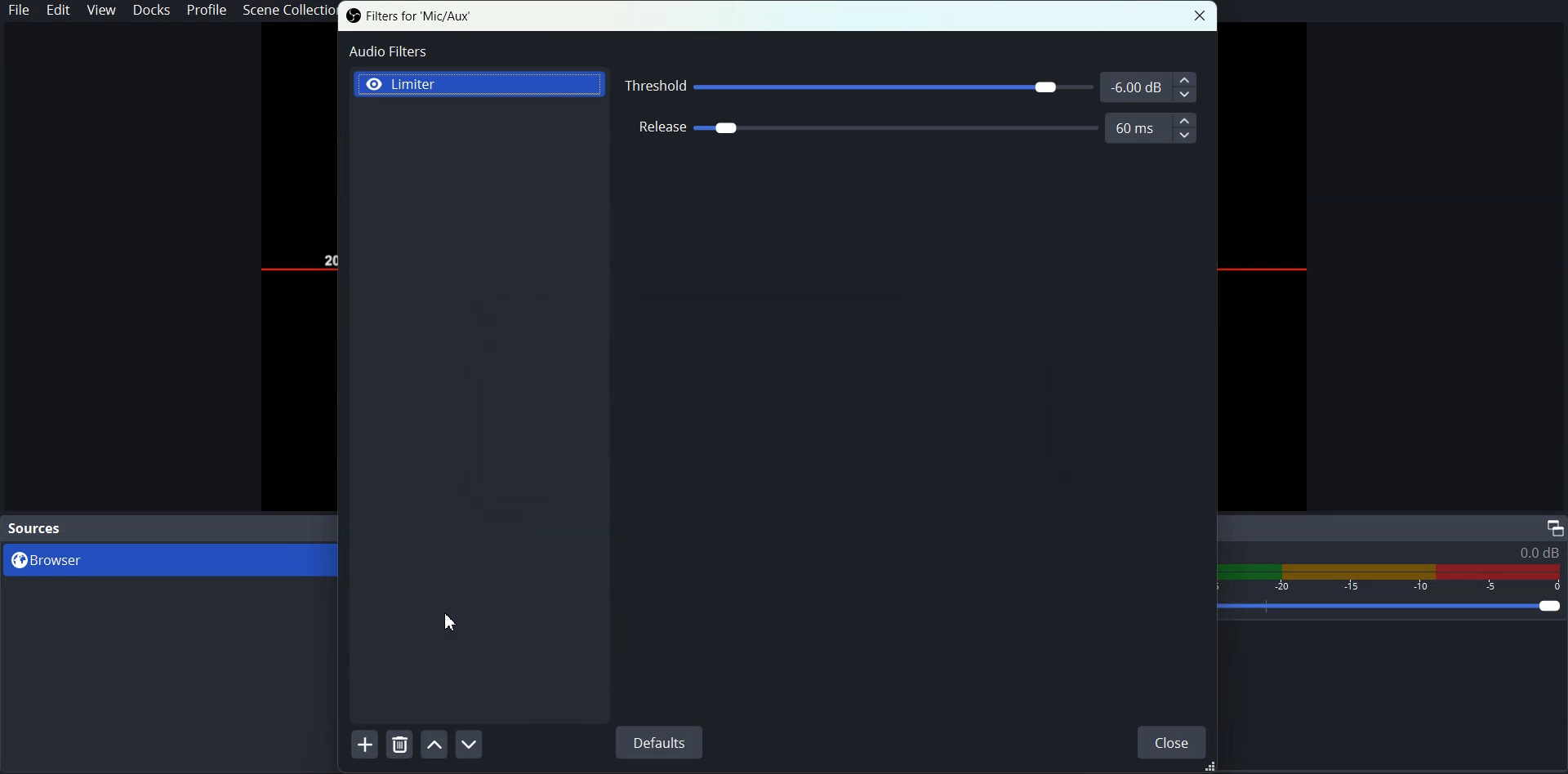  Describe the element at coordinates (101, 11) in the screenshot. I see `View` at that location.